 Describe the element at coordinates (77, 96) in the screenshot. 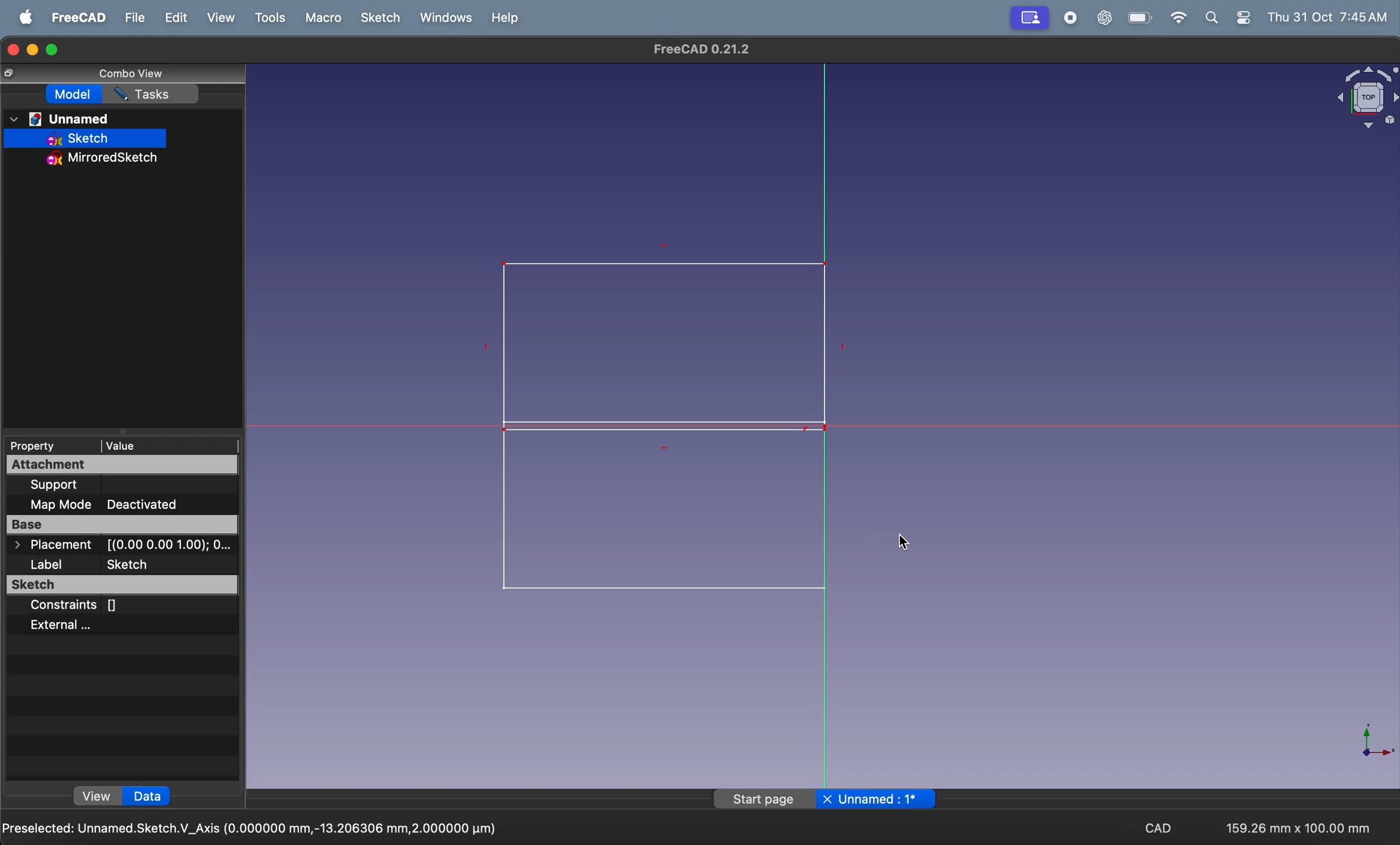

I see `model` at that location.